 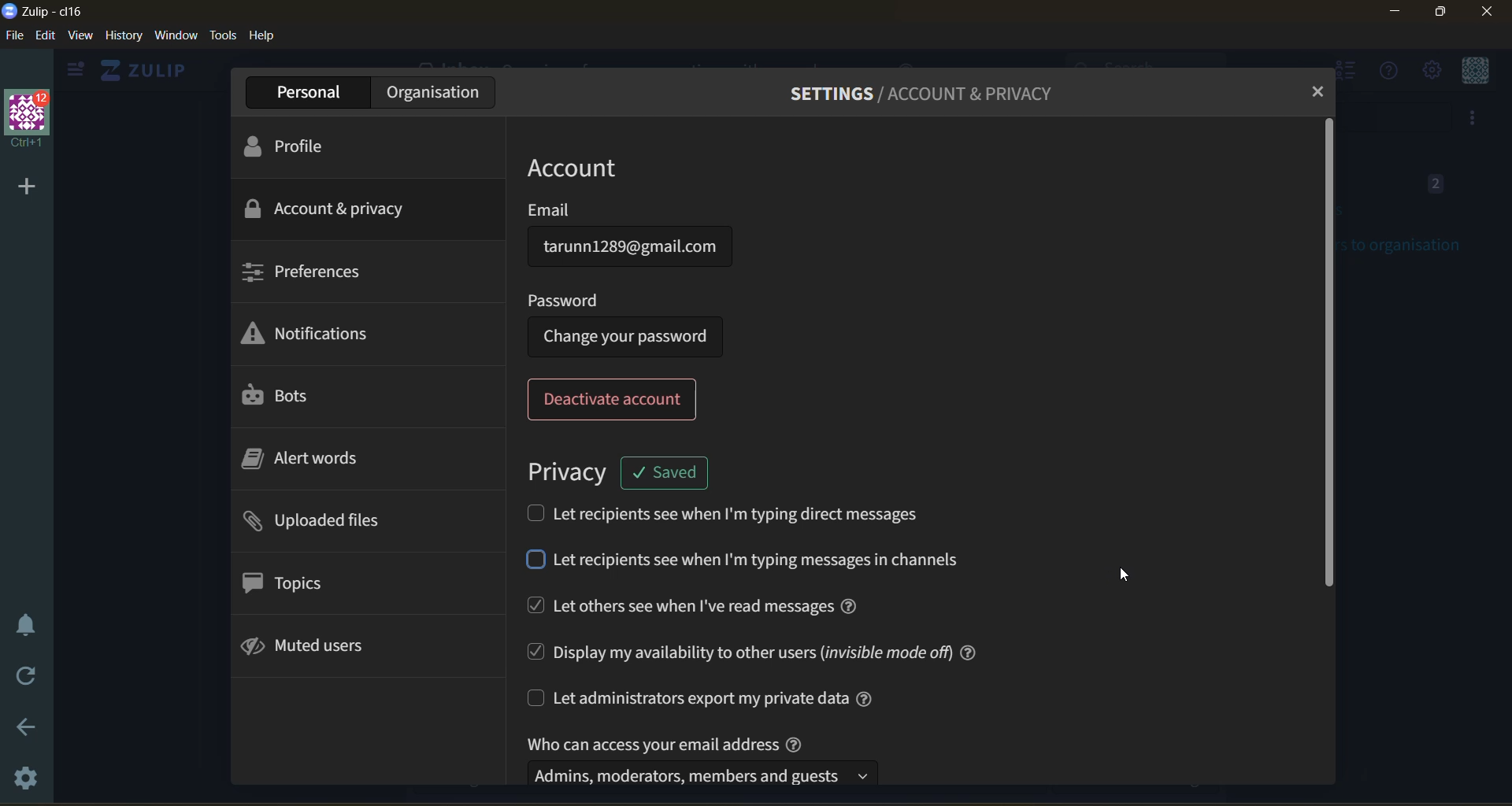 What do you see at coordinates (312, 649) in the screenshot?
I see `muted users` at bounding box center [312, 649].